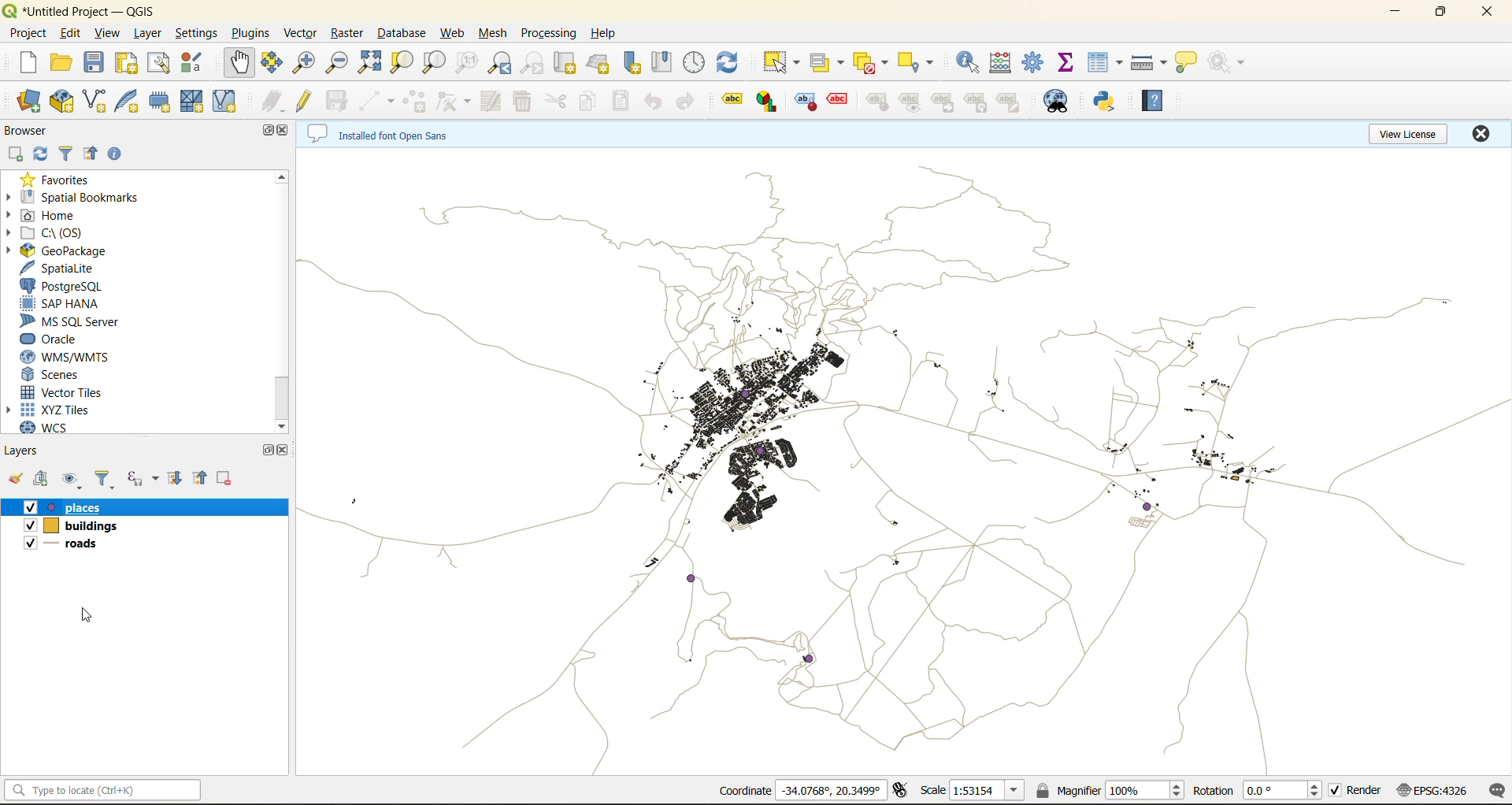 The image size is (1512, 805). Describe the element at coordinates (1442, 12) in the screenshot. I see `maximize` at that location.